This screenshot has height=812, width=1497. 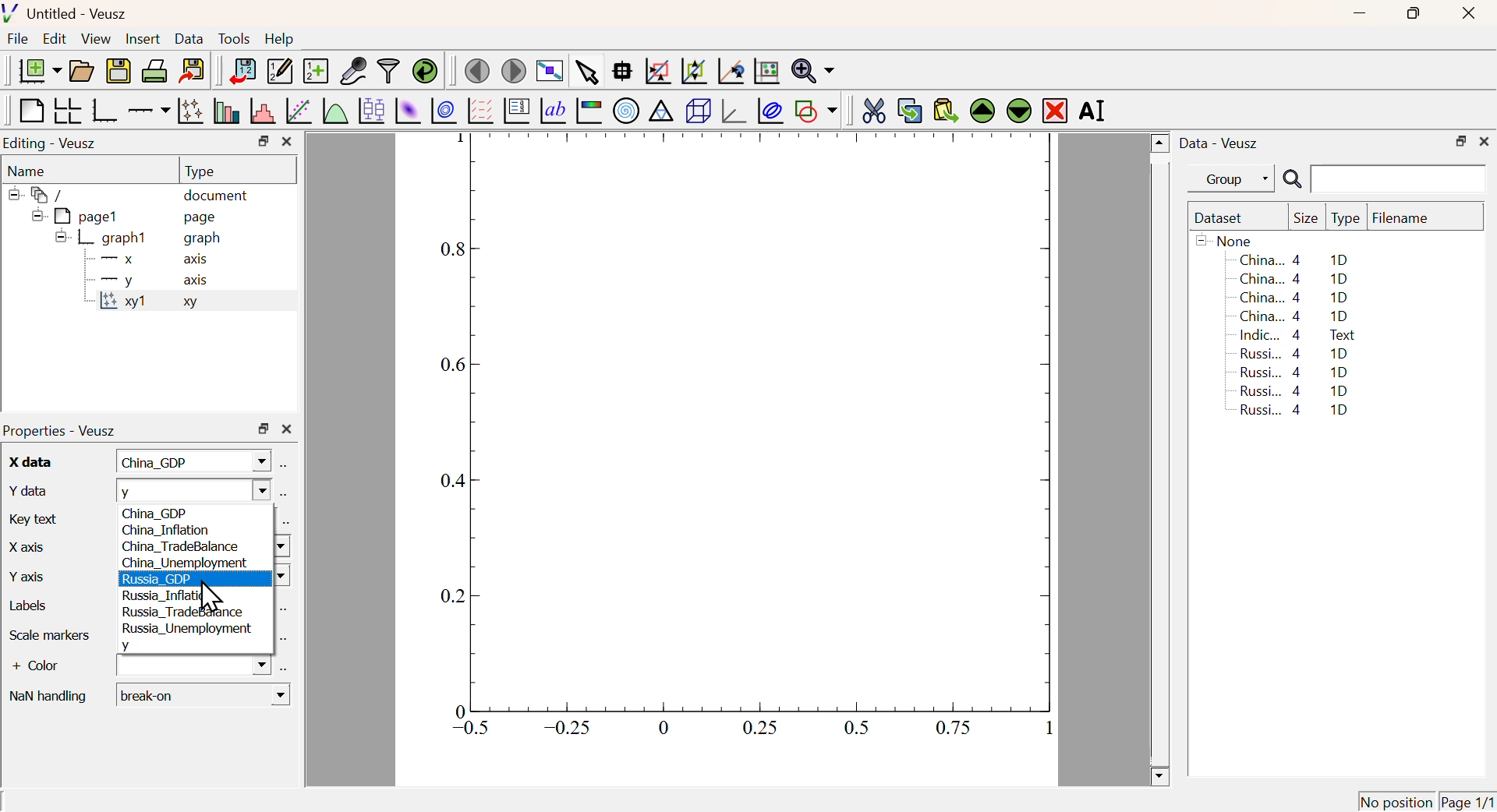 I want to click on Restore Down, so click(x=264, y=429).